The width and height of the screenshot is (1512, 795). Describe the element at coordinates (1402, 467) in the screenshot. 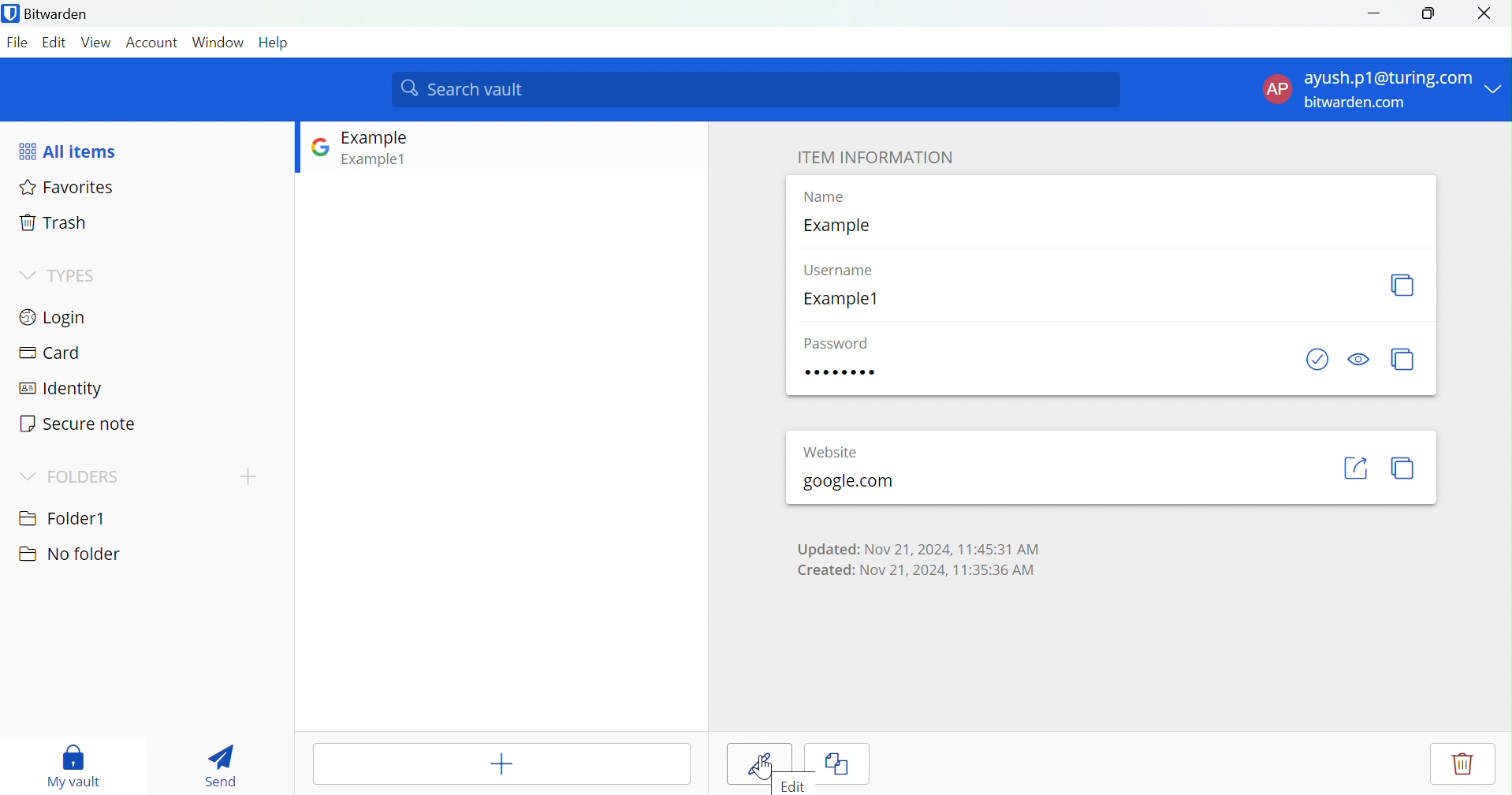

I see `copy` at that location.